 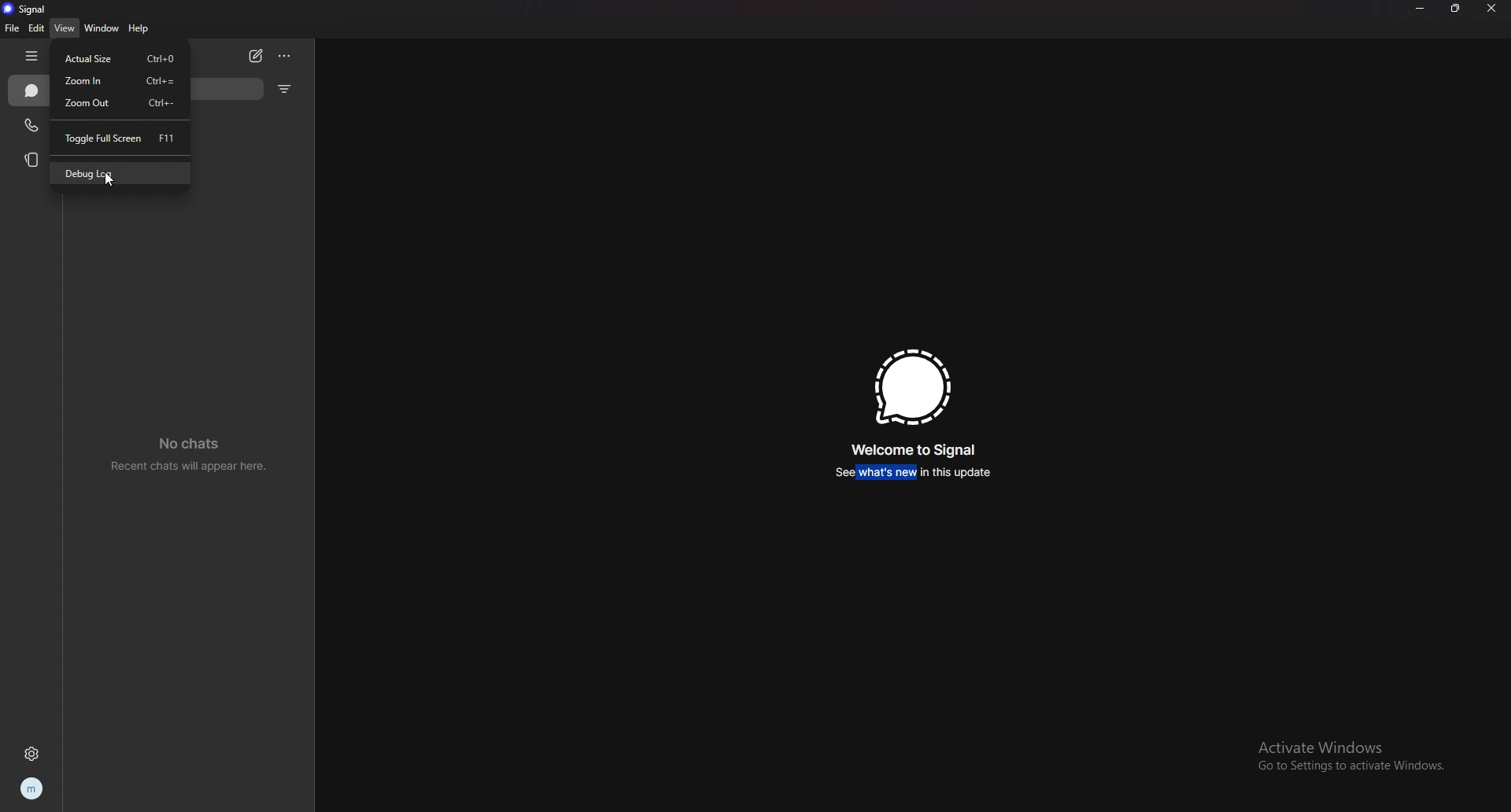 I want to click on settings, so click(x=33, y=754).